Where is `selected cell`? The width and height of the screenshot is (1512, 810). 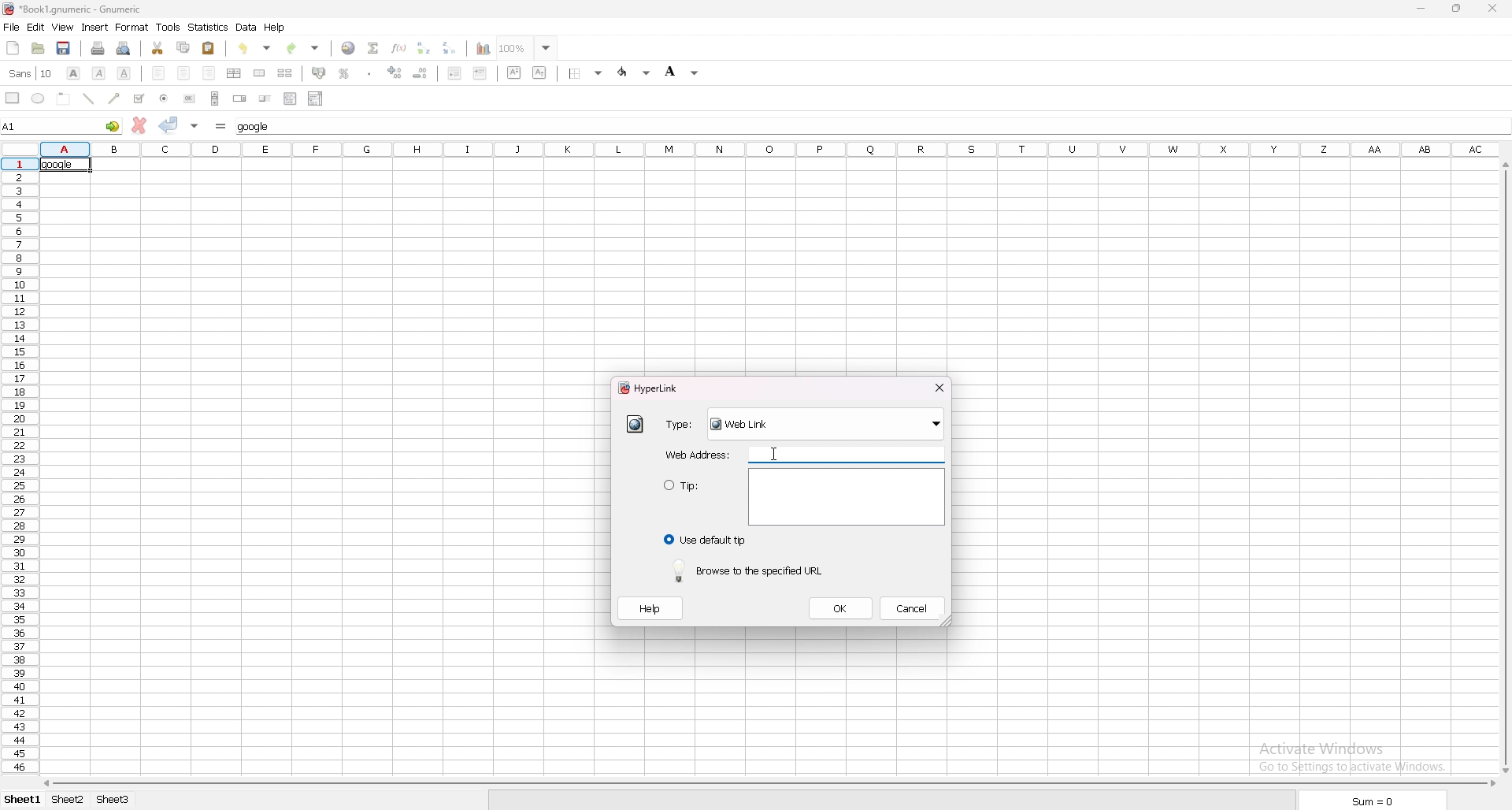 selected cell is located at coordinates (61, 124).